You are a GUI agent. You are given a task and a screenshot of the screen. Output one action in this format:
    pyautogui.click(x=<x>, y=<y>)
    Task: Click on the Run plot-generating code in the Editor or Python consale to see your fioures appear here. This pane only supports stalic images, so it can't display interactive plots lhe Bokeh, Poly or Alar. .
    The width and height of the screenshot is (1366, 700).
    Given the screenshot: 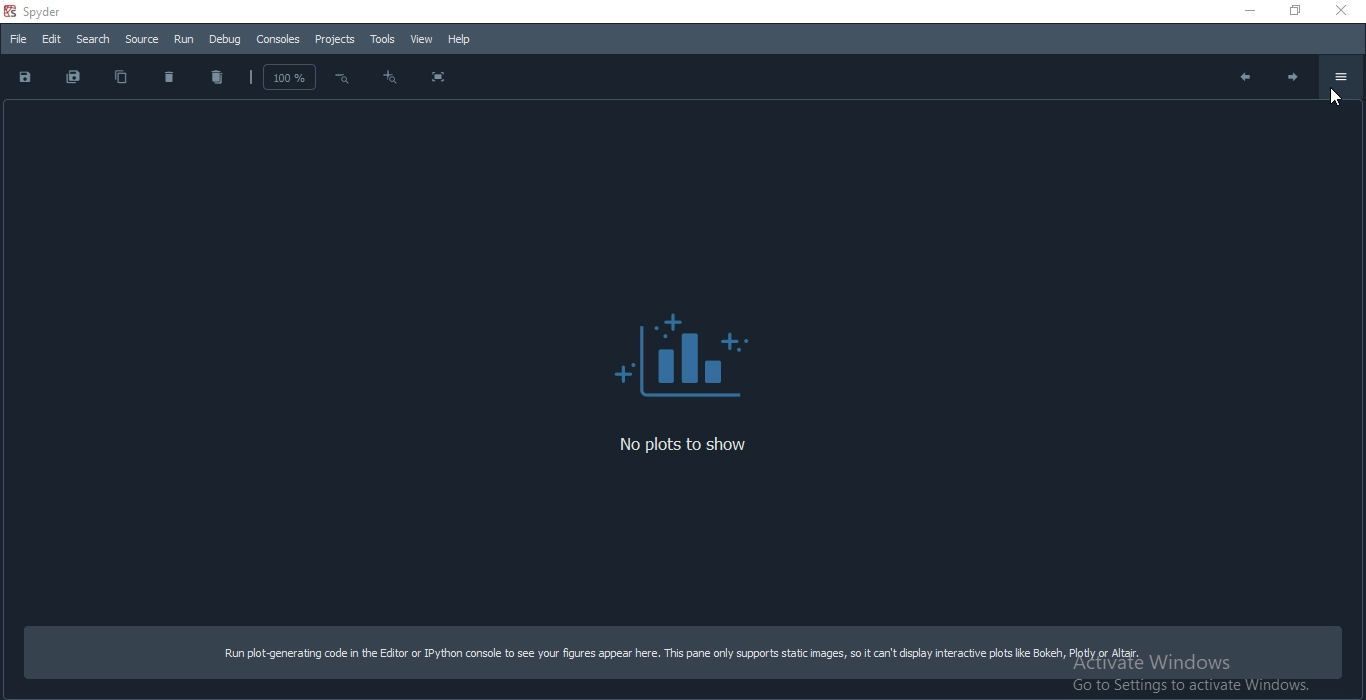 What is the action you would take?
    pyautogui.click(x=680, y=650)
    